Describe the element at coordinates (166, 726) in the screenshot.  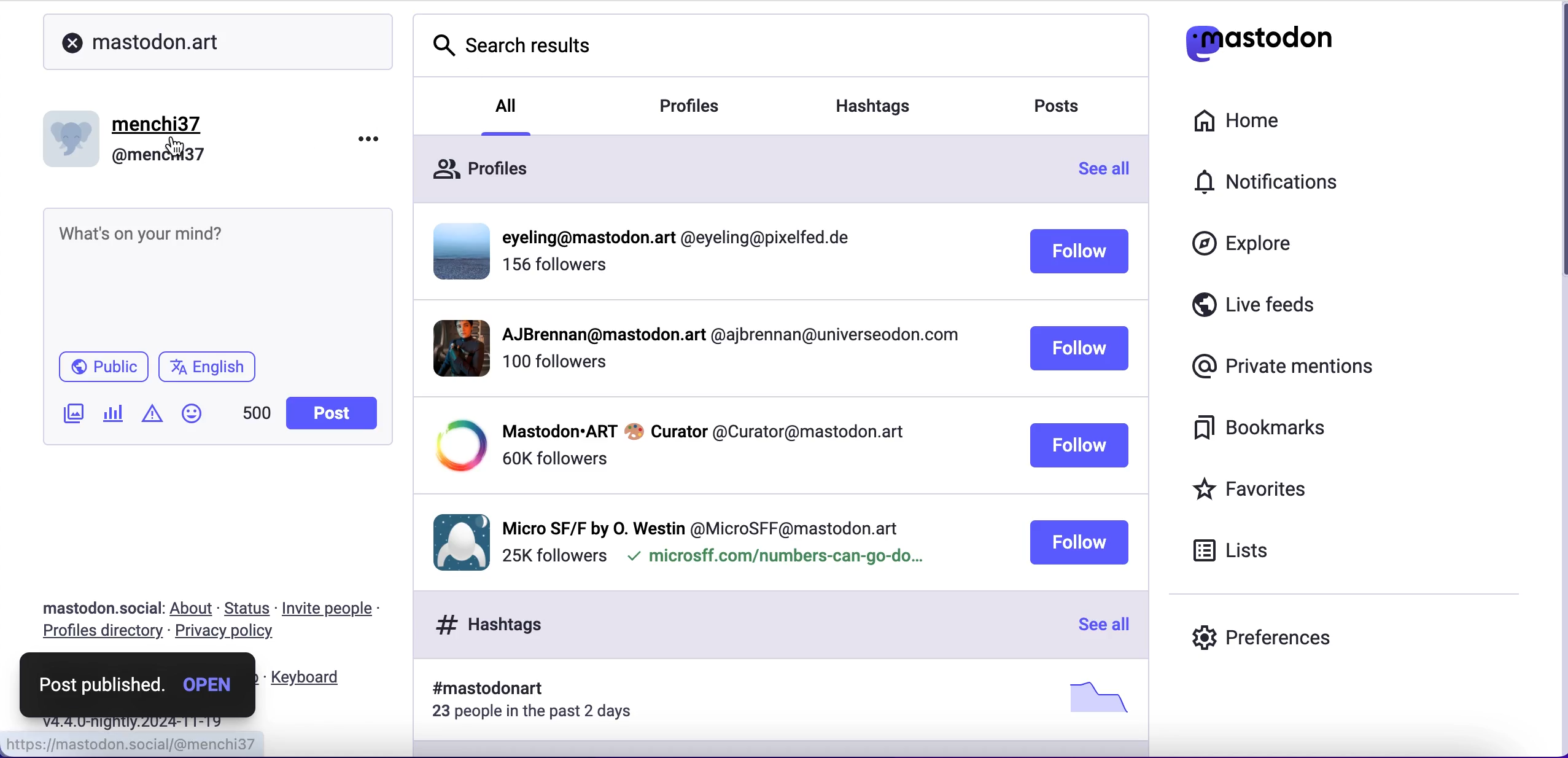
I see `2024-11-19` at that location.